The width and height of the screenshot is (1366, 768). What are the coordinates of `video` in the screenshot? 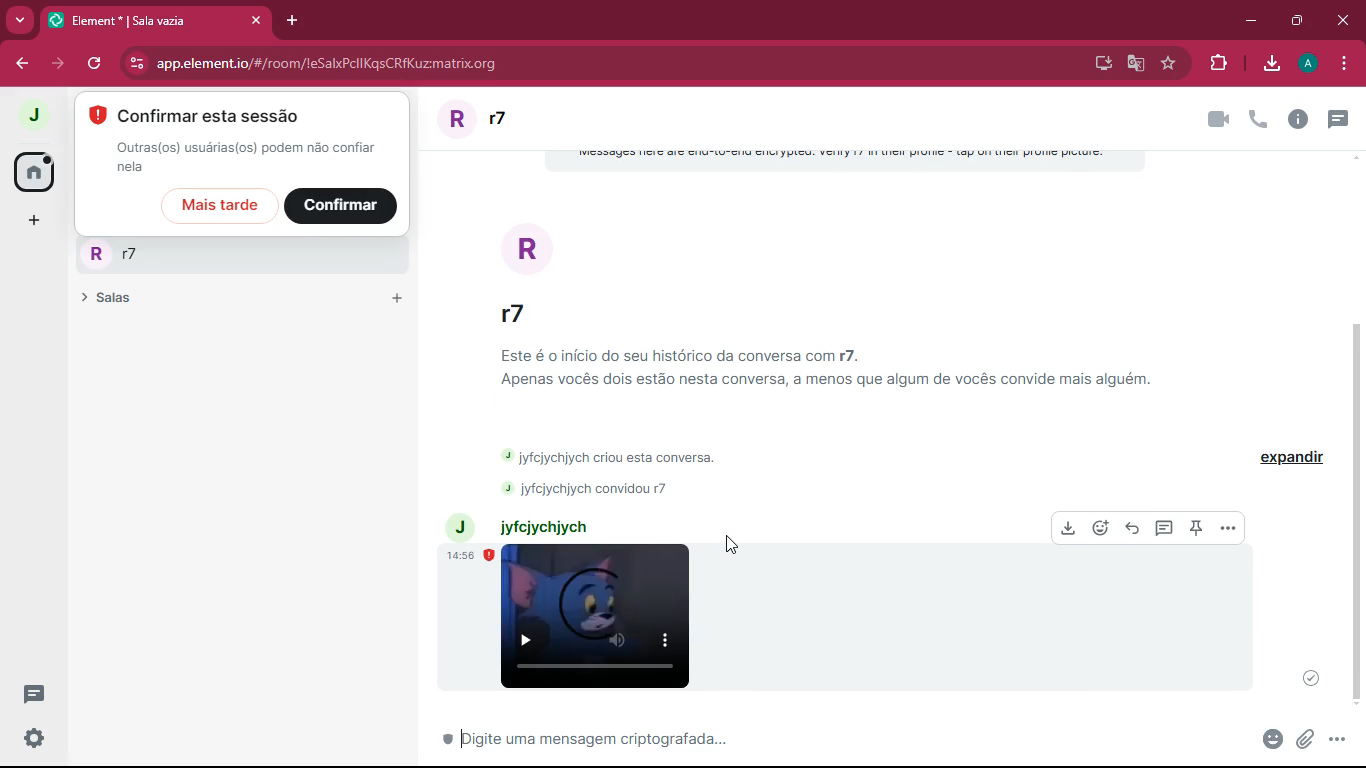 It's located at (604, 620).